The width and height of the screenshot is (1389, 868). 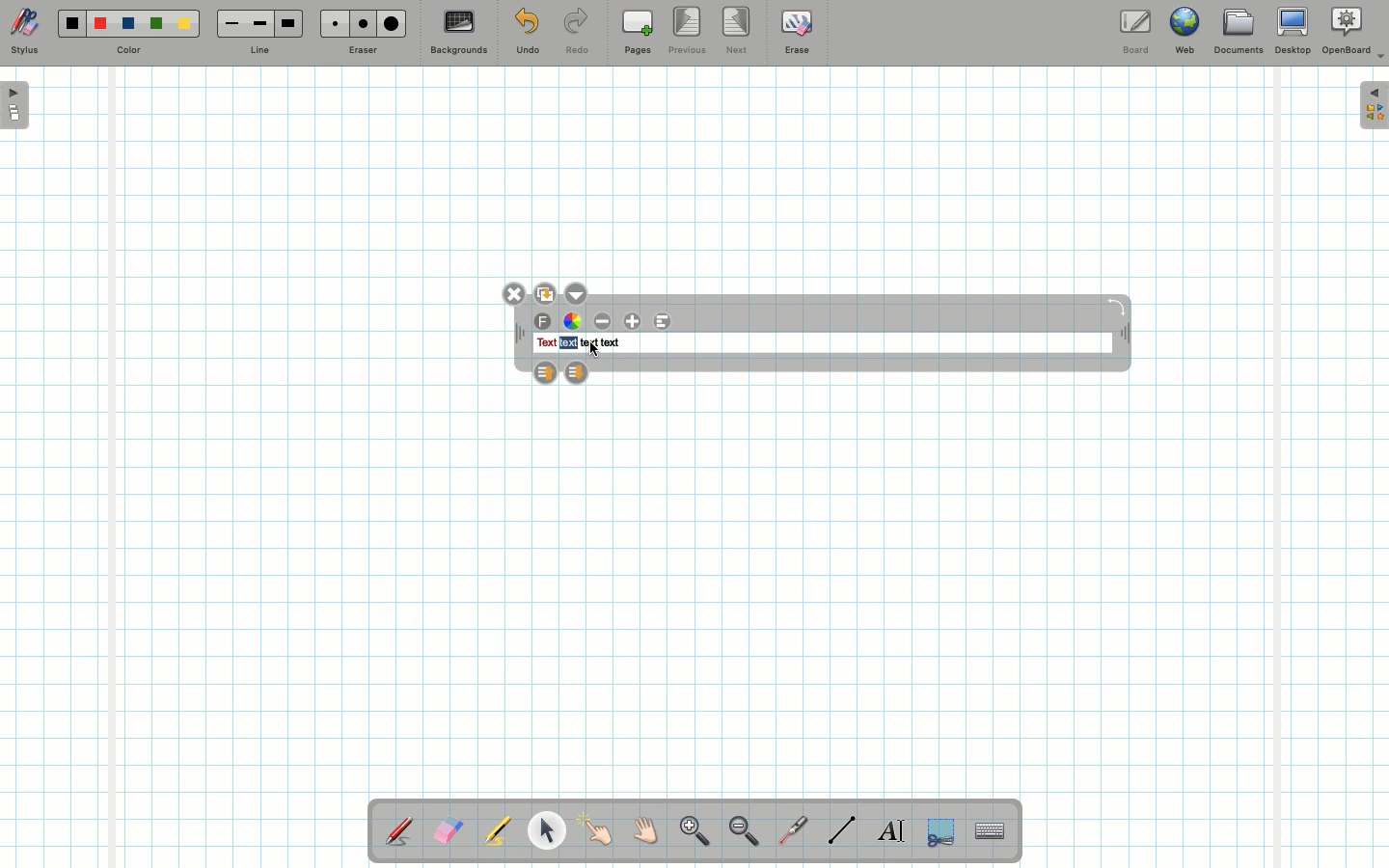 I want to click on text, so click(x=611, y=343).